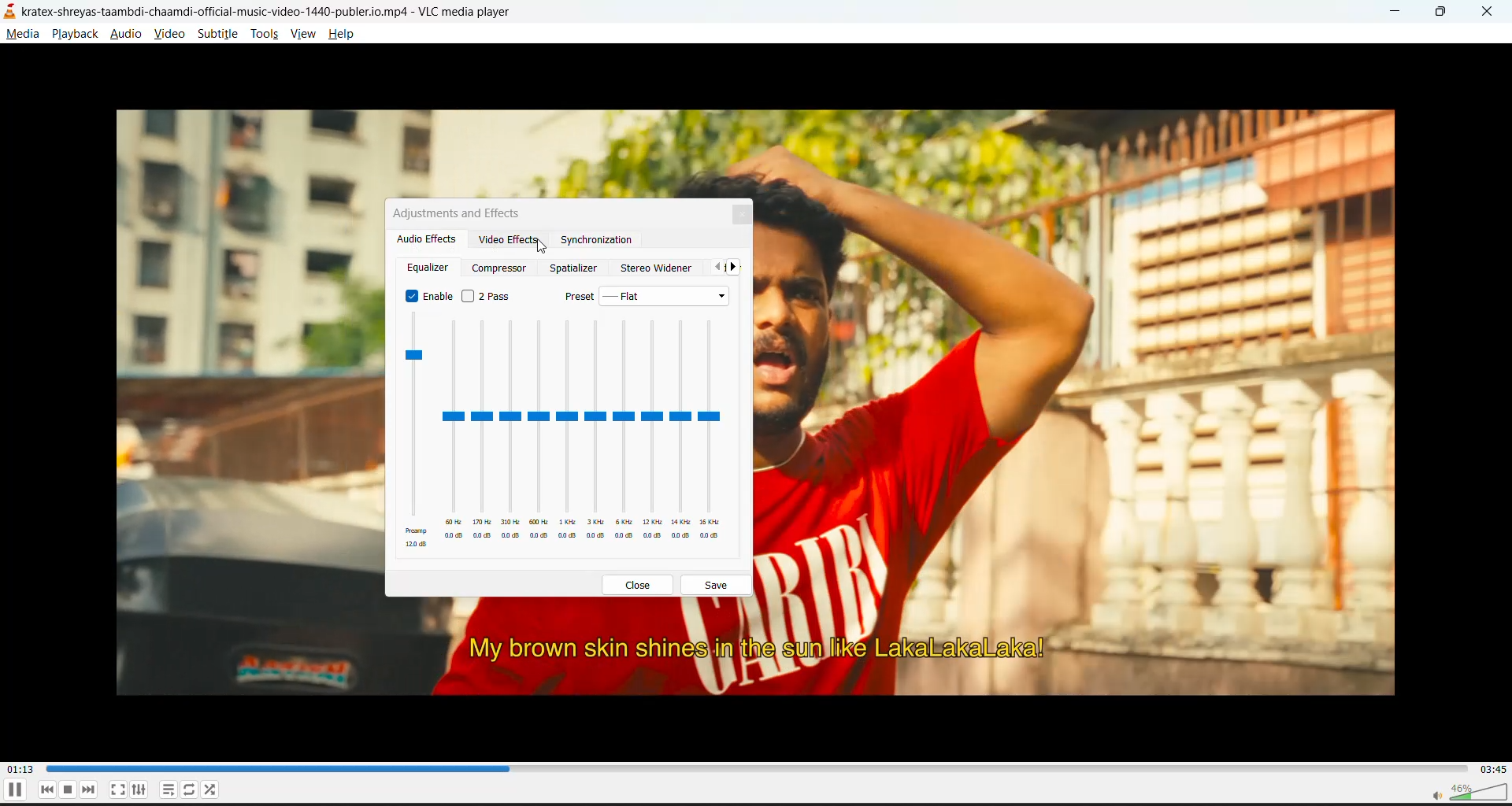  Describe the element at coordinates (187, 790) in the screenshot. I see `loop` at that location.